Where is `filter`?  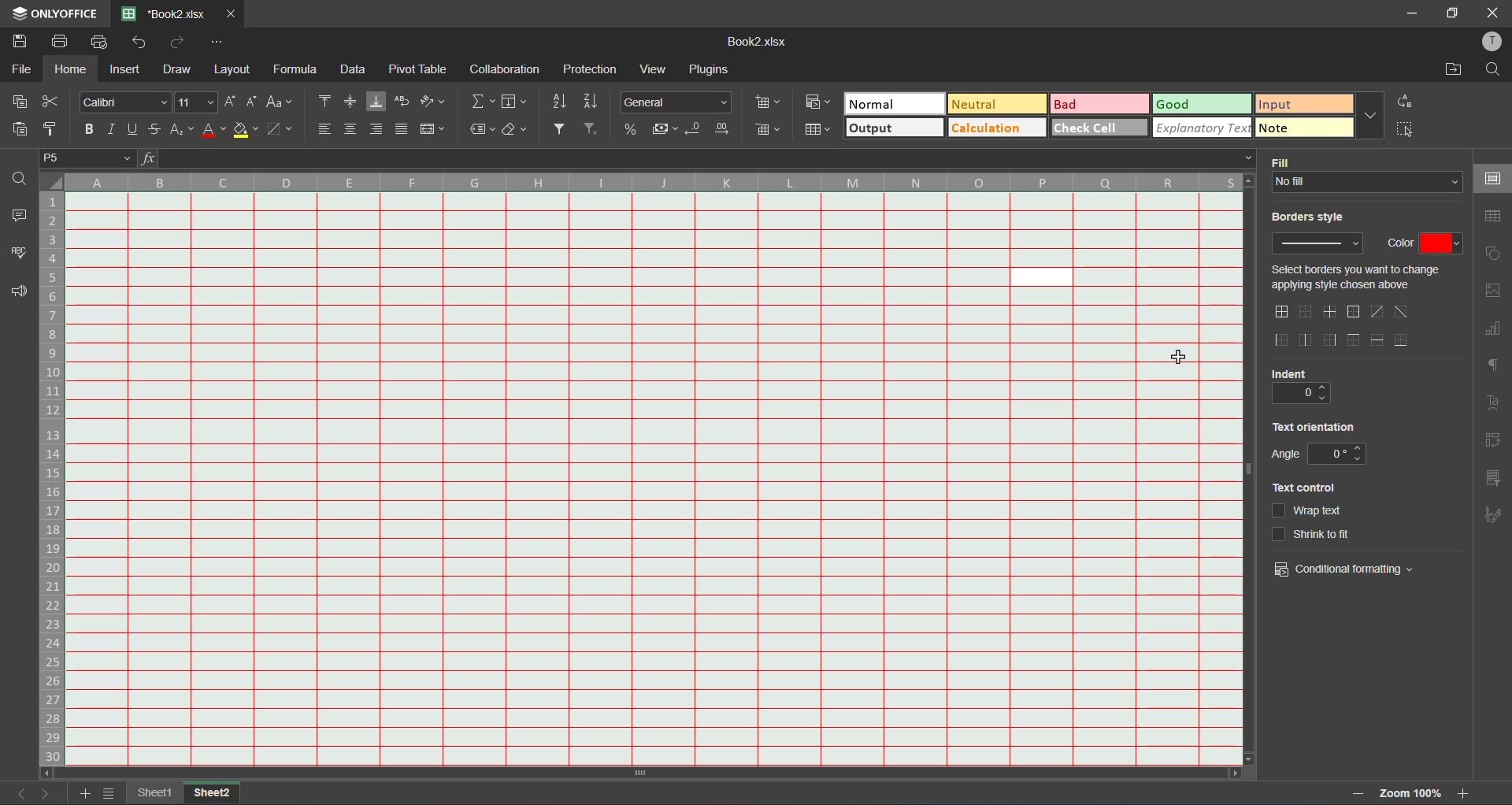 filter is located at coordinates (564, 129).